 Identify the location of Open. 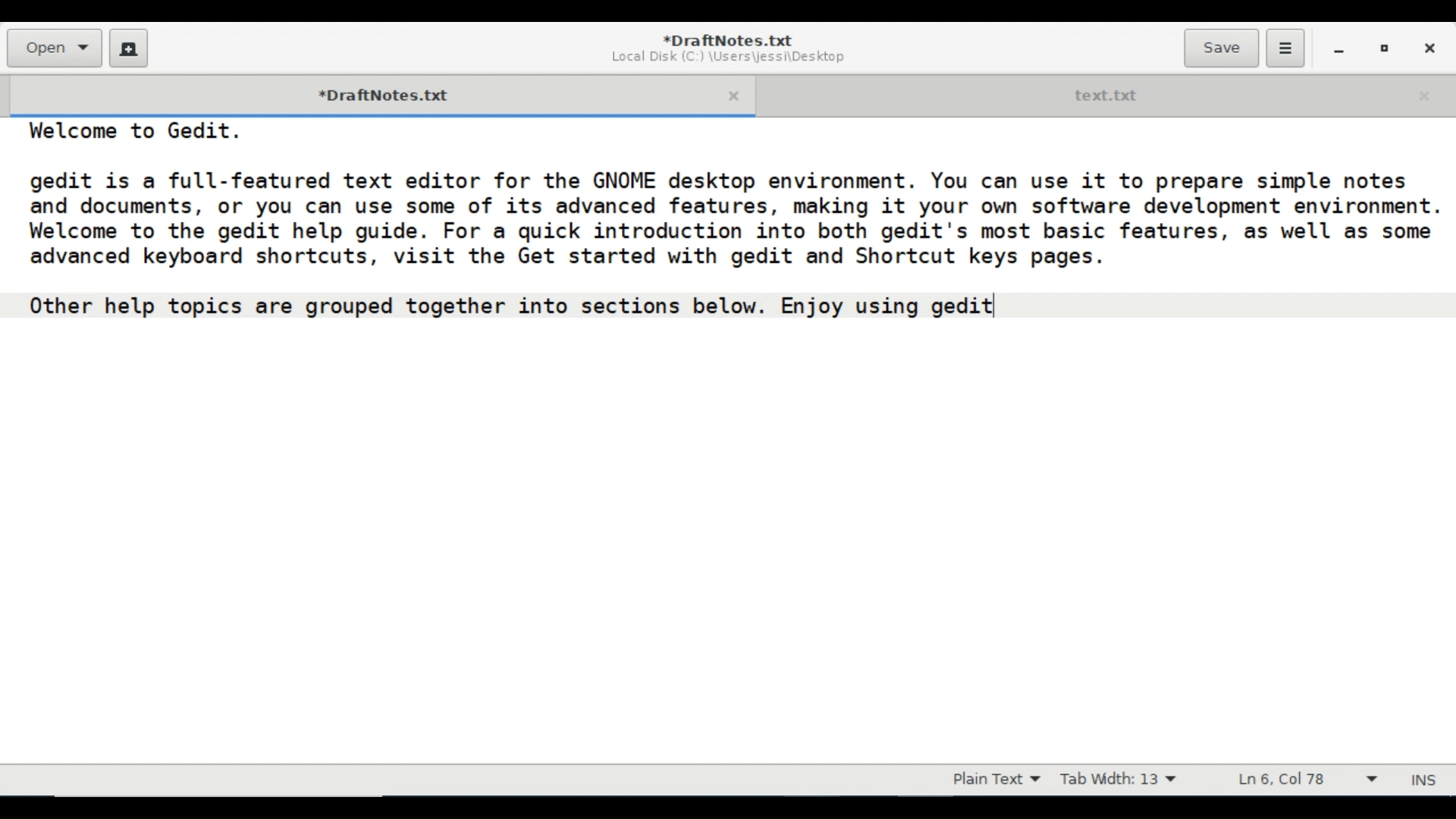
(53, 48).